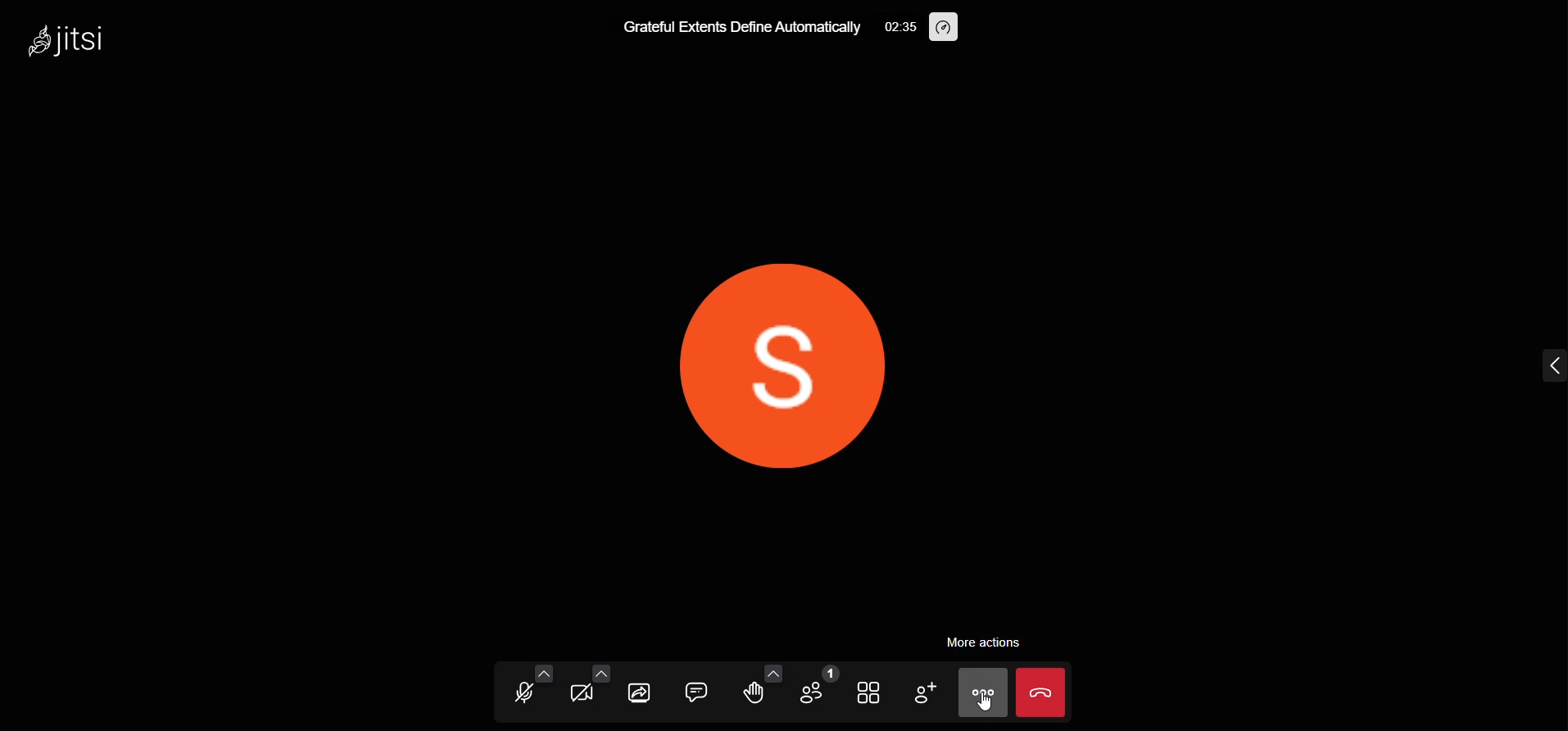 This screenshot has width=1568, height=731. Describe the element at coordinates (990, 642) in the screenshot. I see `more actions` at that location.